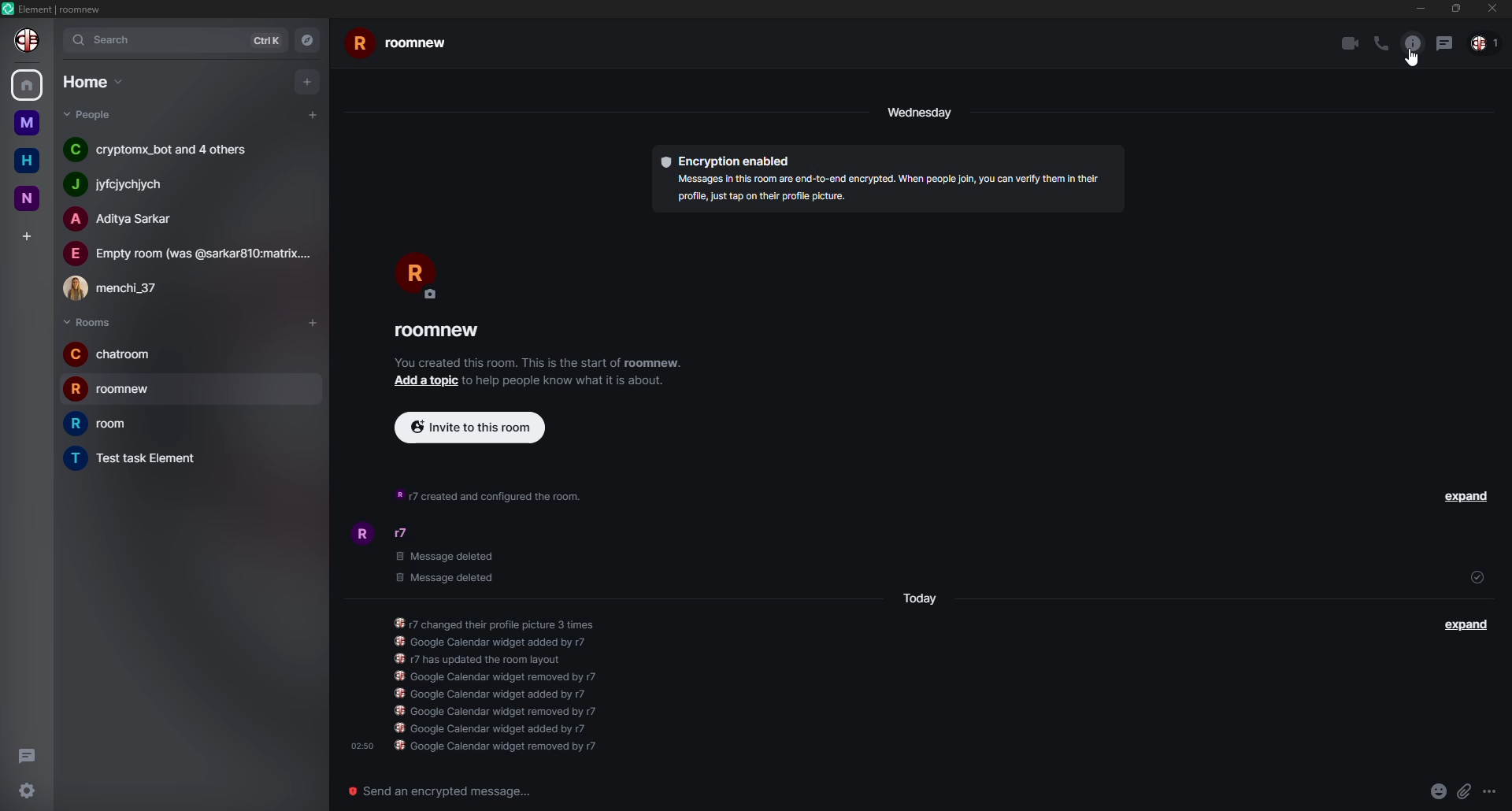 The width and height of the screenshot is (1512, 811). What do you see at coordinates (28, 41) in the screenshot?
I see `profile` at bounding box center [28, 41].